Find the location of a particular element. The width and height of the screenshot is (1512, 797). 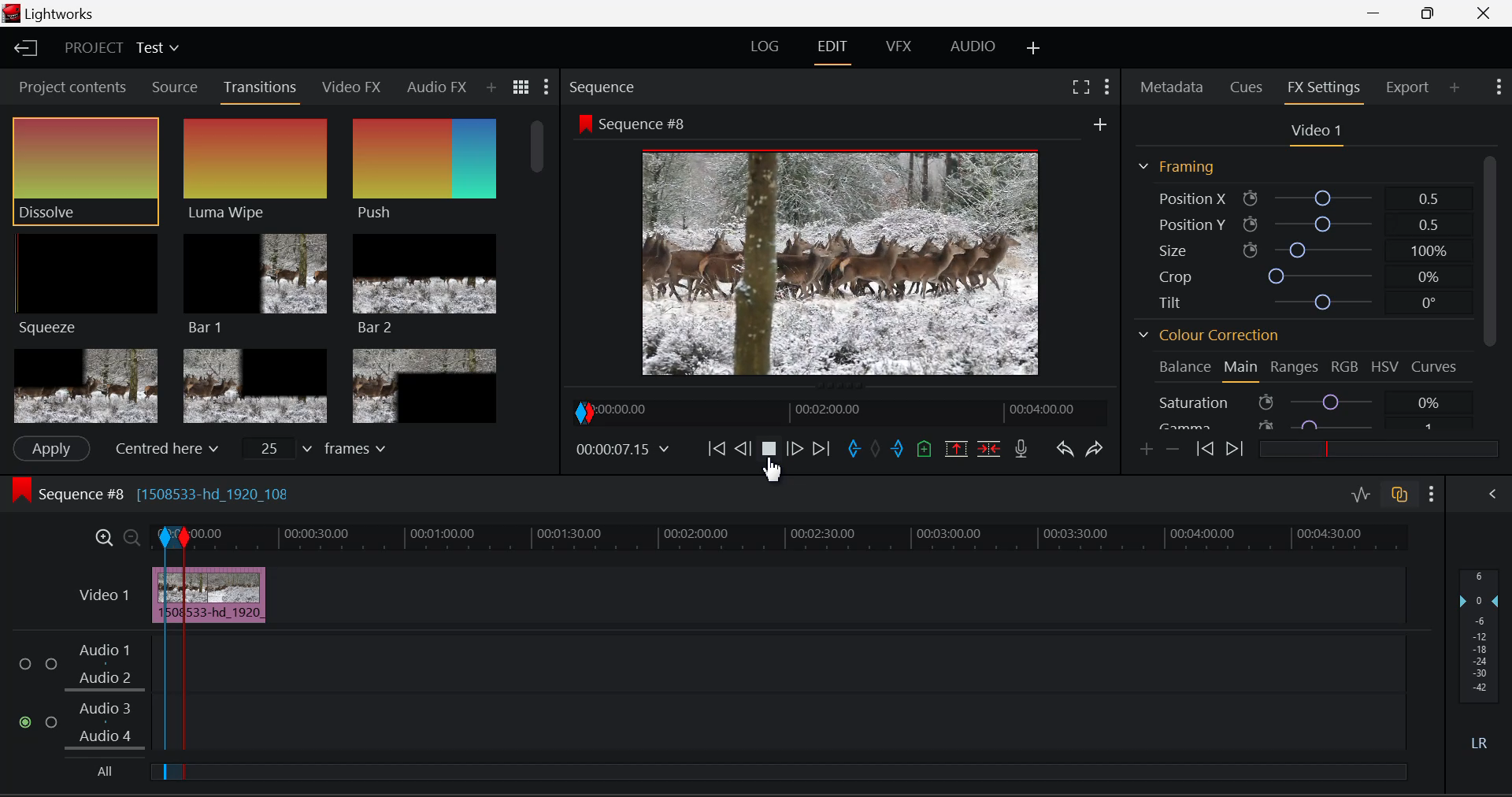

Audio FX is located at coordinates (437, 87).